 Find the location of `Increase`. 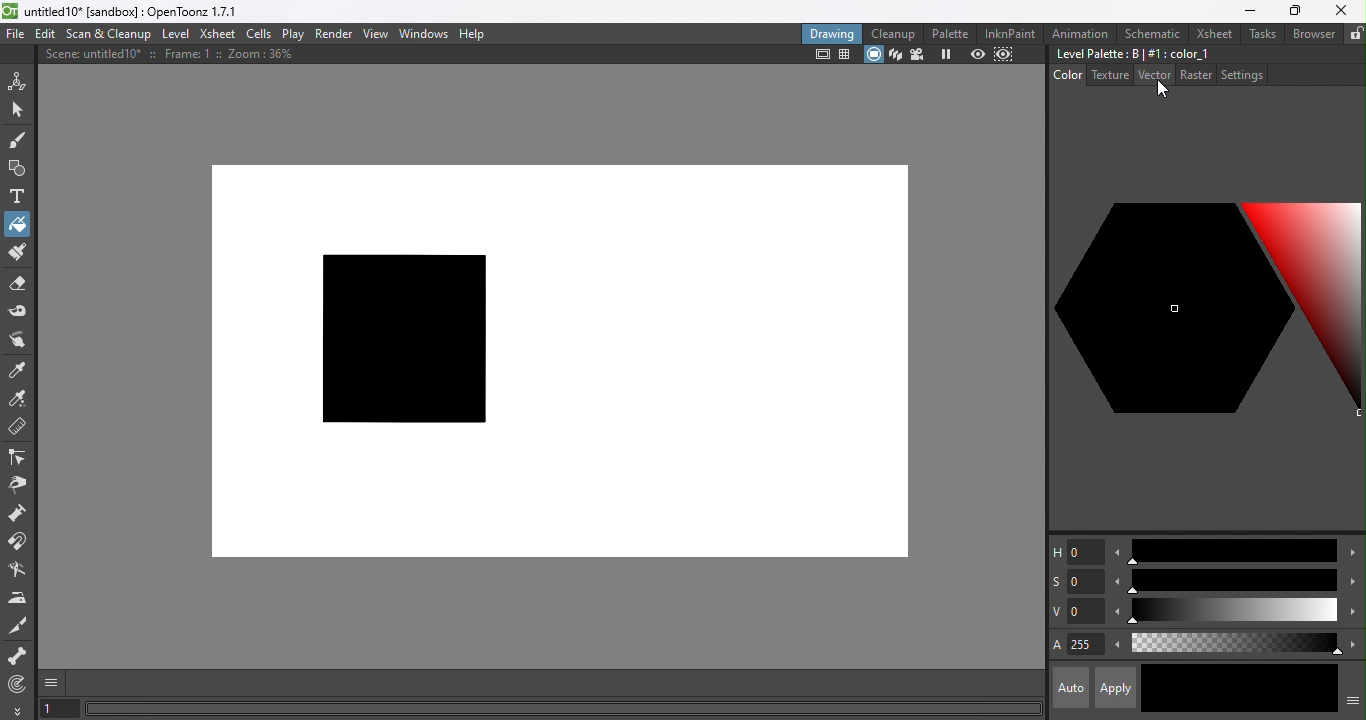

Increase is located at coordinates (1353, 613).